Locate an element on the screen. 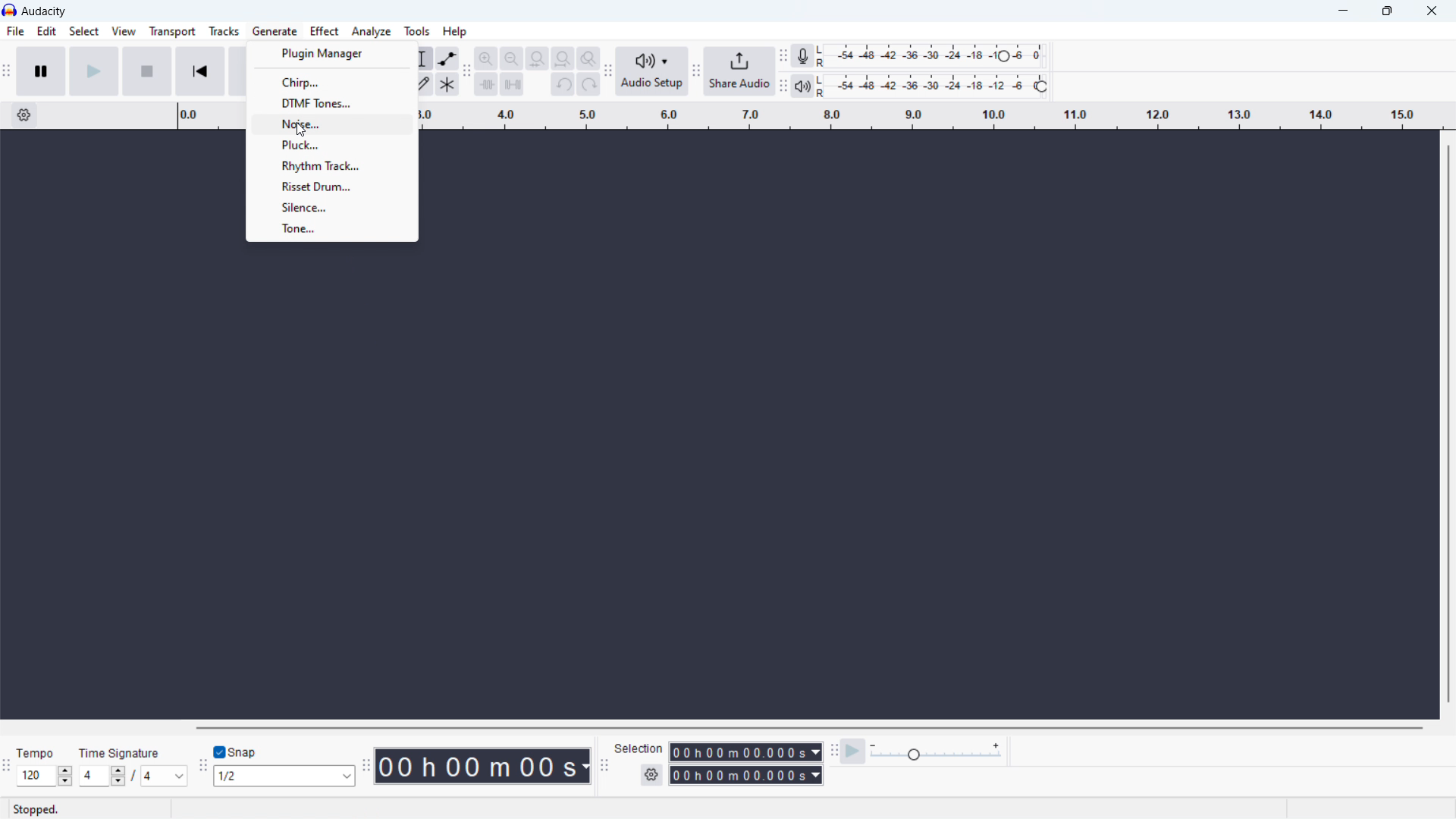  zoom in is located at coordinates (487, 58).